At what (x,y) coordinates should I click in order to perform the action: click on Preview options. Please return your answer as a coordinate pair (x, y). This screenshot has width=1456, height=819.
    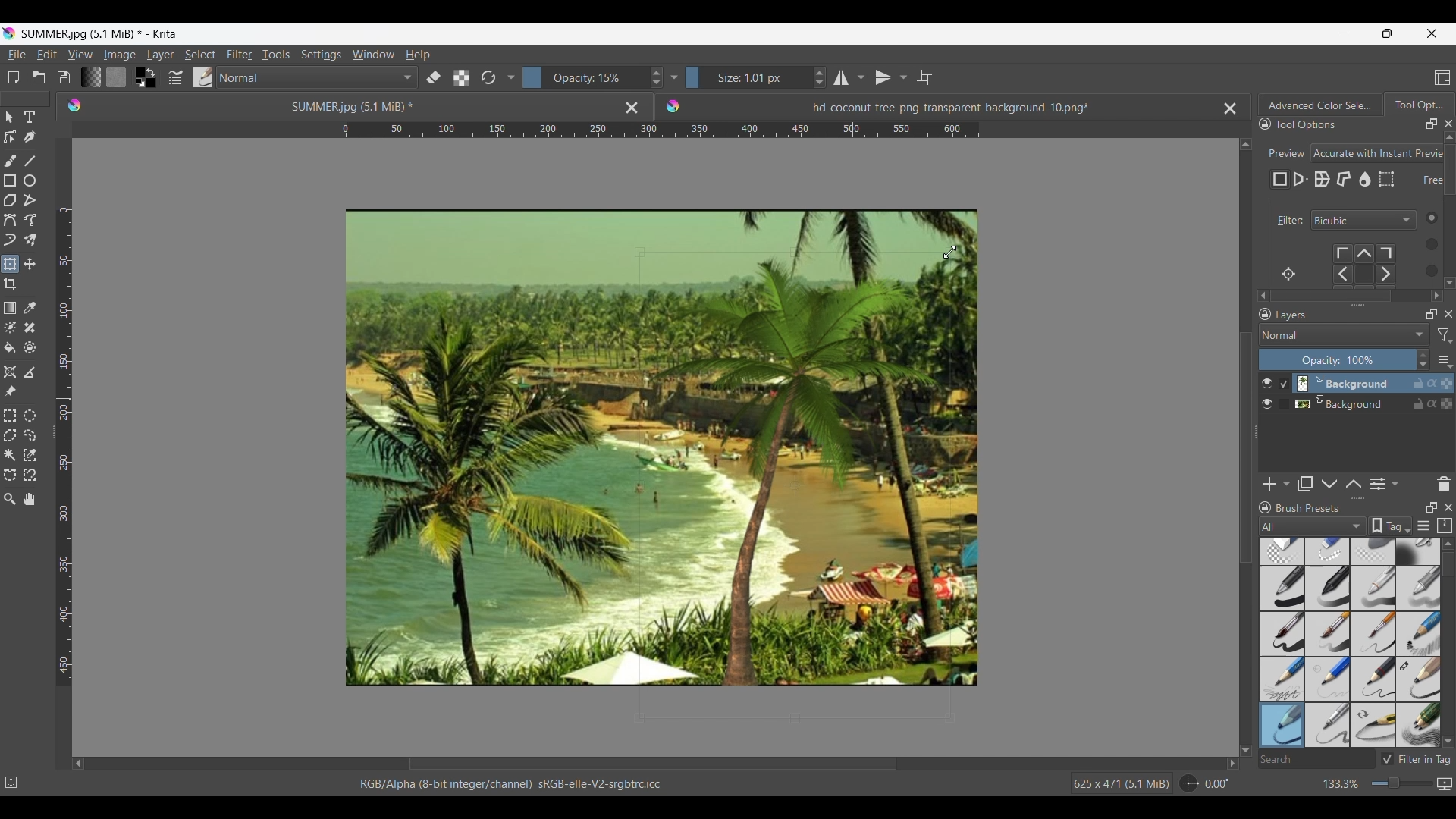
    Looking at the image, I should click on (1378, 153).